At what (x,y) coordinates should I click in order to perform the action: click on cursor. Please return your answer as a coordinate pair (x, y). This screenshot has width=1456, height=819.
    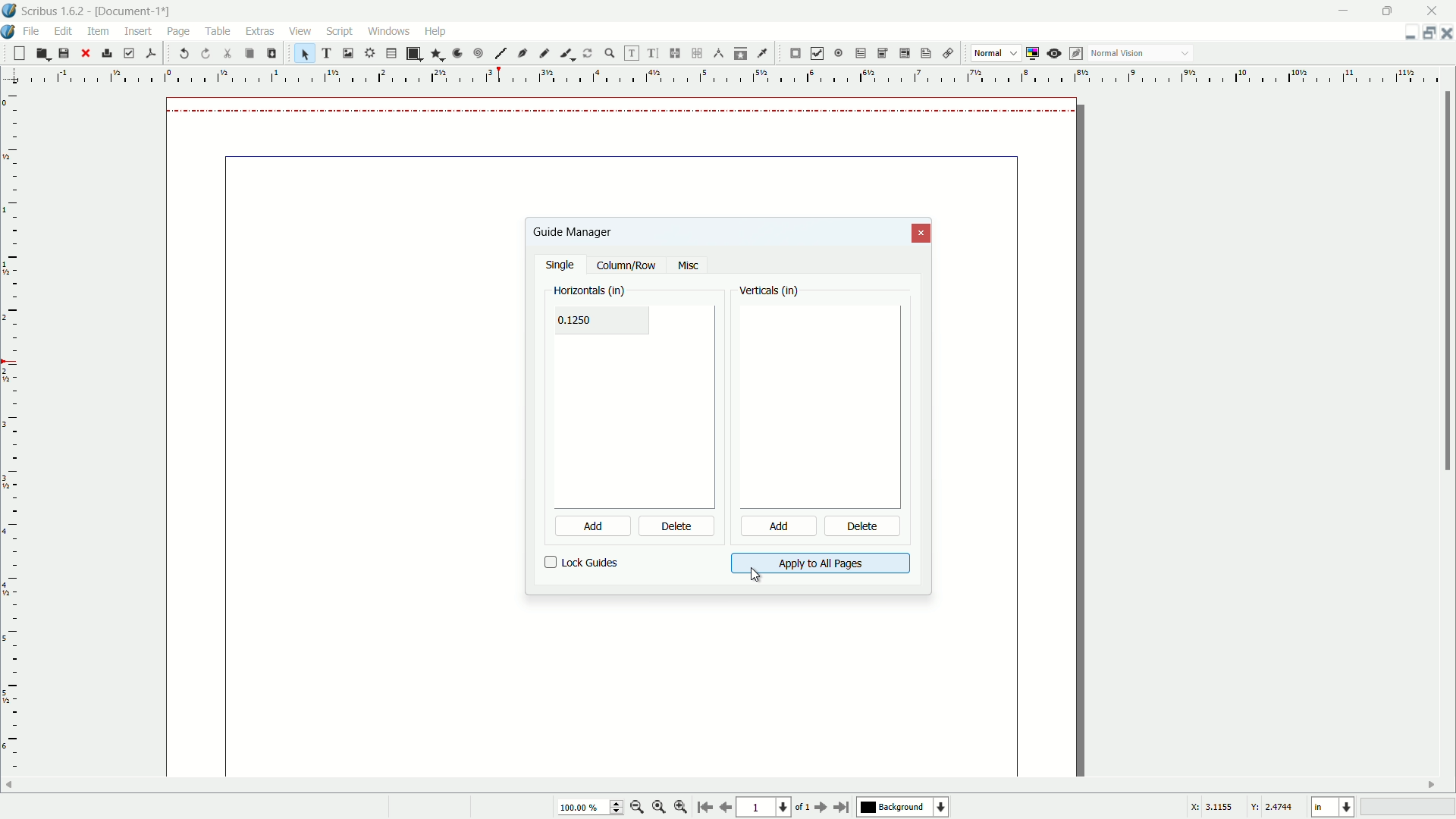
    Looking at the image, I should click on (756, 575).